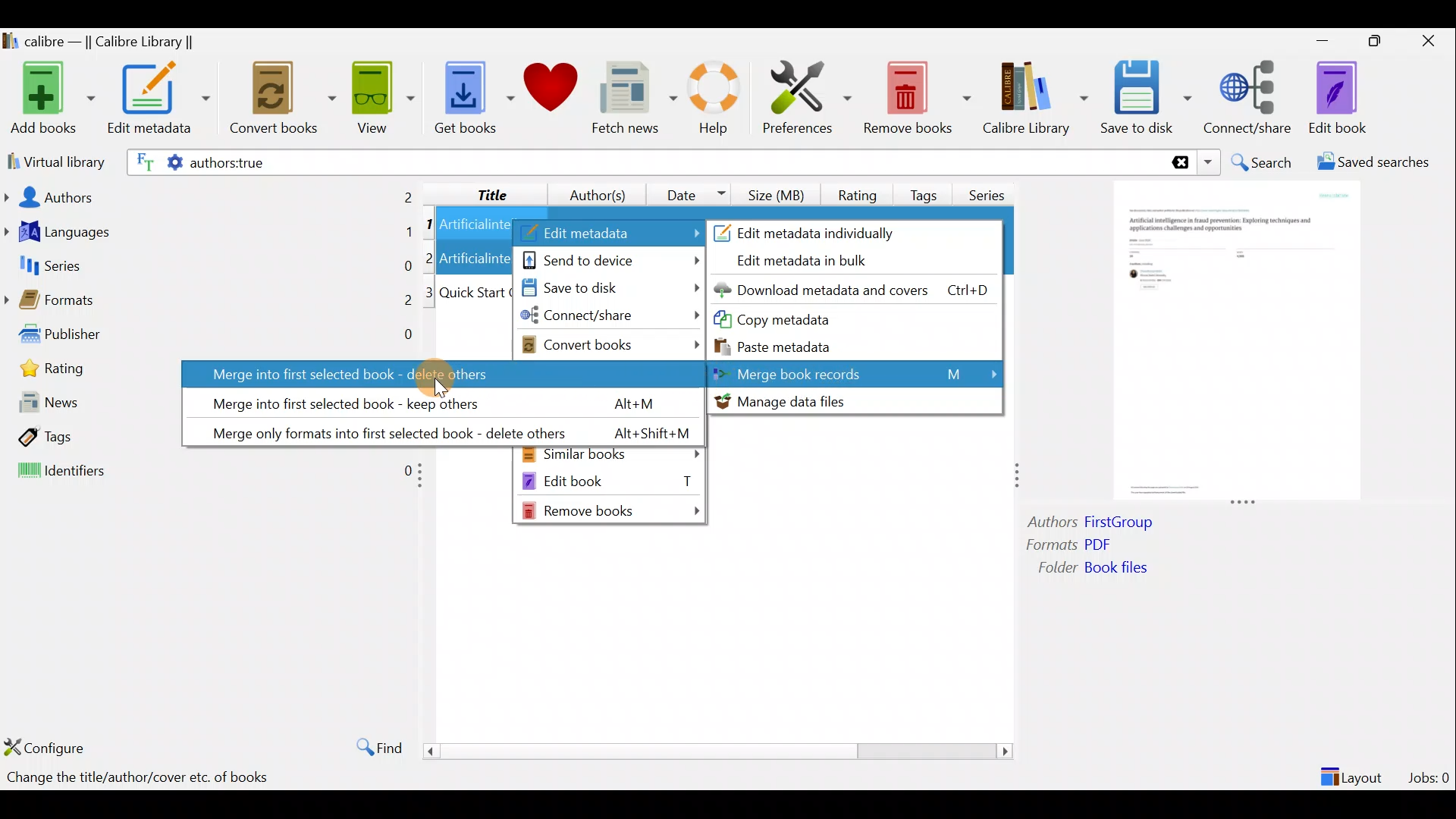 The width and height of the screenshot is (1456, 819). Describe the element at coordinates (551, 93) in the screenshot. I see `Donate` at that location.